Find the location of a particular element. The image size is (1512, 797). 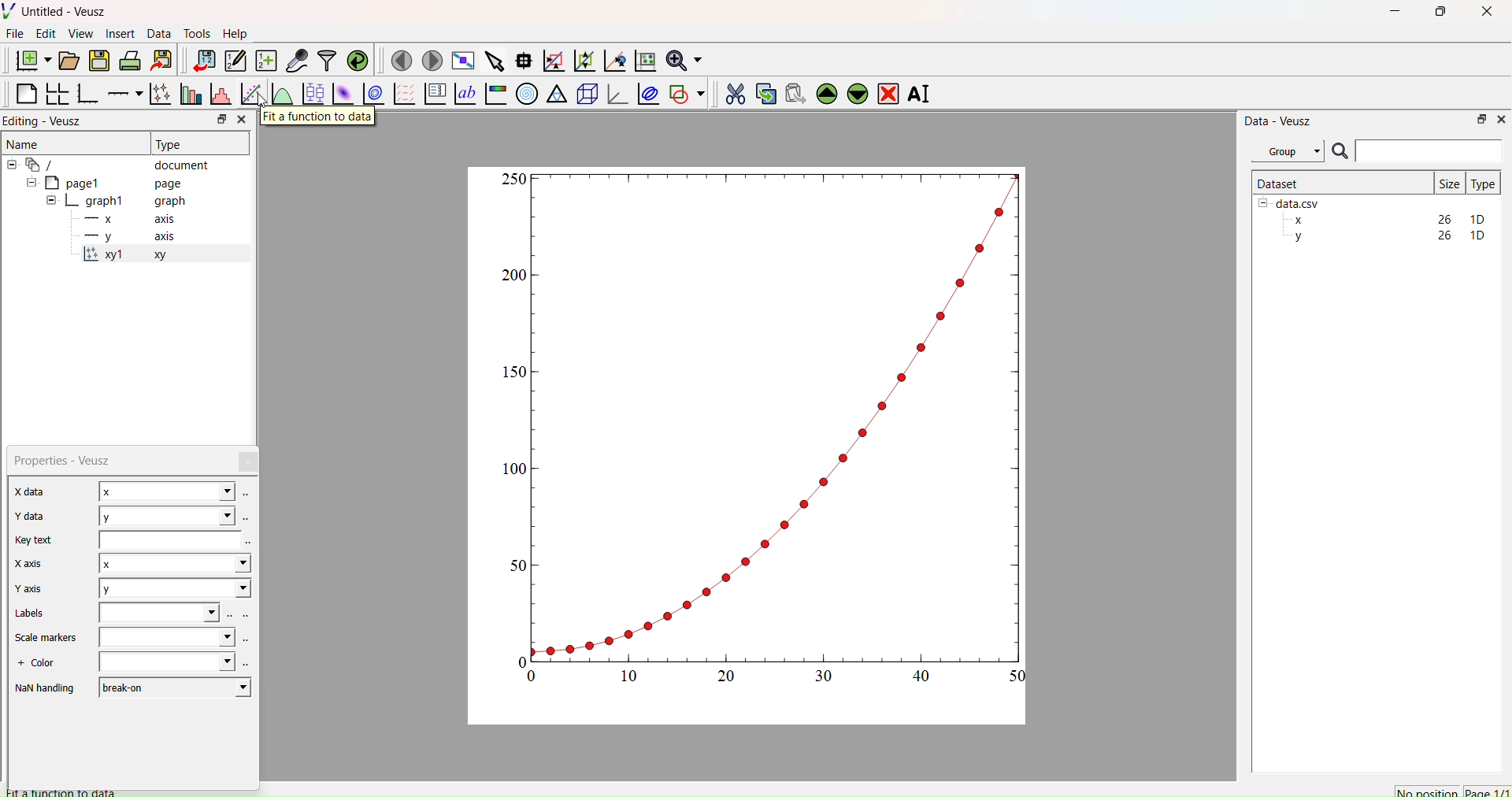

Copy is located at coordinates (762, 92).